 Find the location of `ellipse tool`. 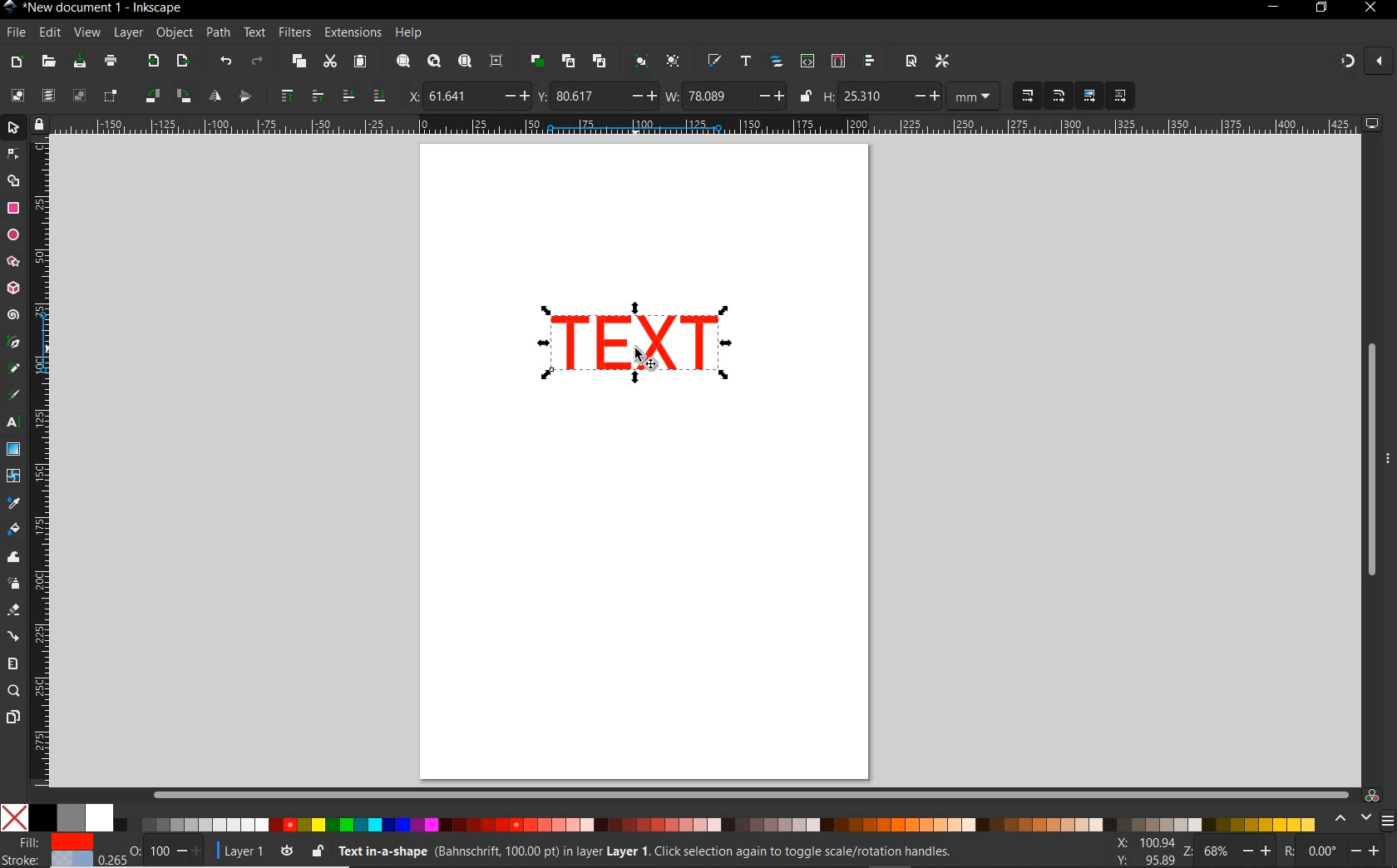

ellipse tool is located at coordinates (12, 234).